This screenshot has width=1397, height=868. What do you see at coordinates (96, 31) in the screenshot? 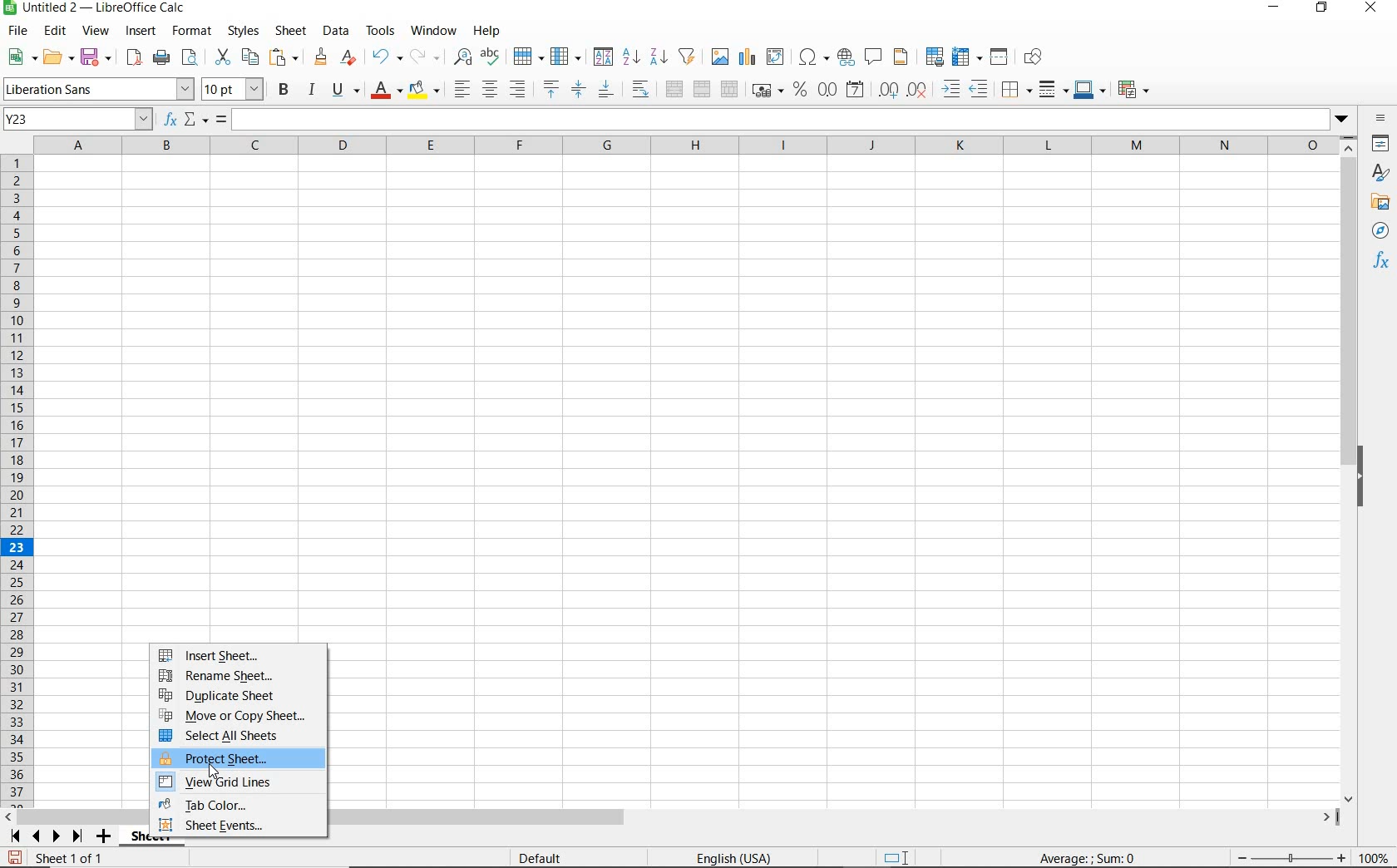
I see `VIEW` at bounding box center [96, 31].